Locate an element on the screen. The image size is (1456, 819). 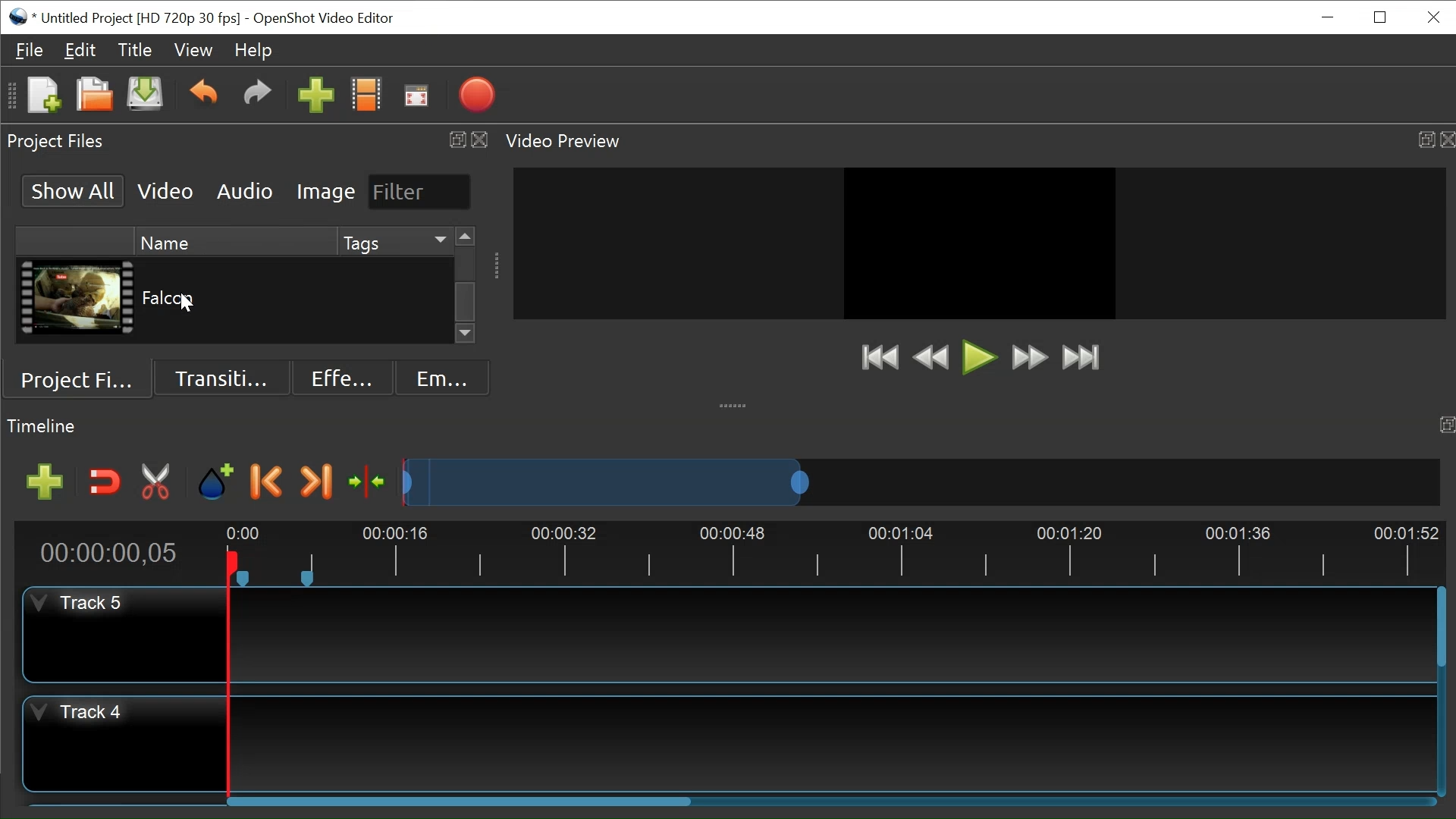
Next Marker is located at coordinates (316, 482).